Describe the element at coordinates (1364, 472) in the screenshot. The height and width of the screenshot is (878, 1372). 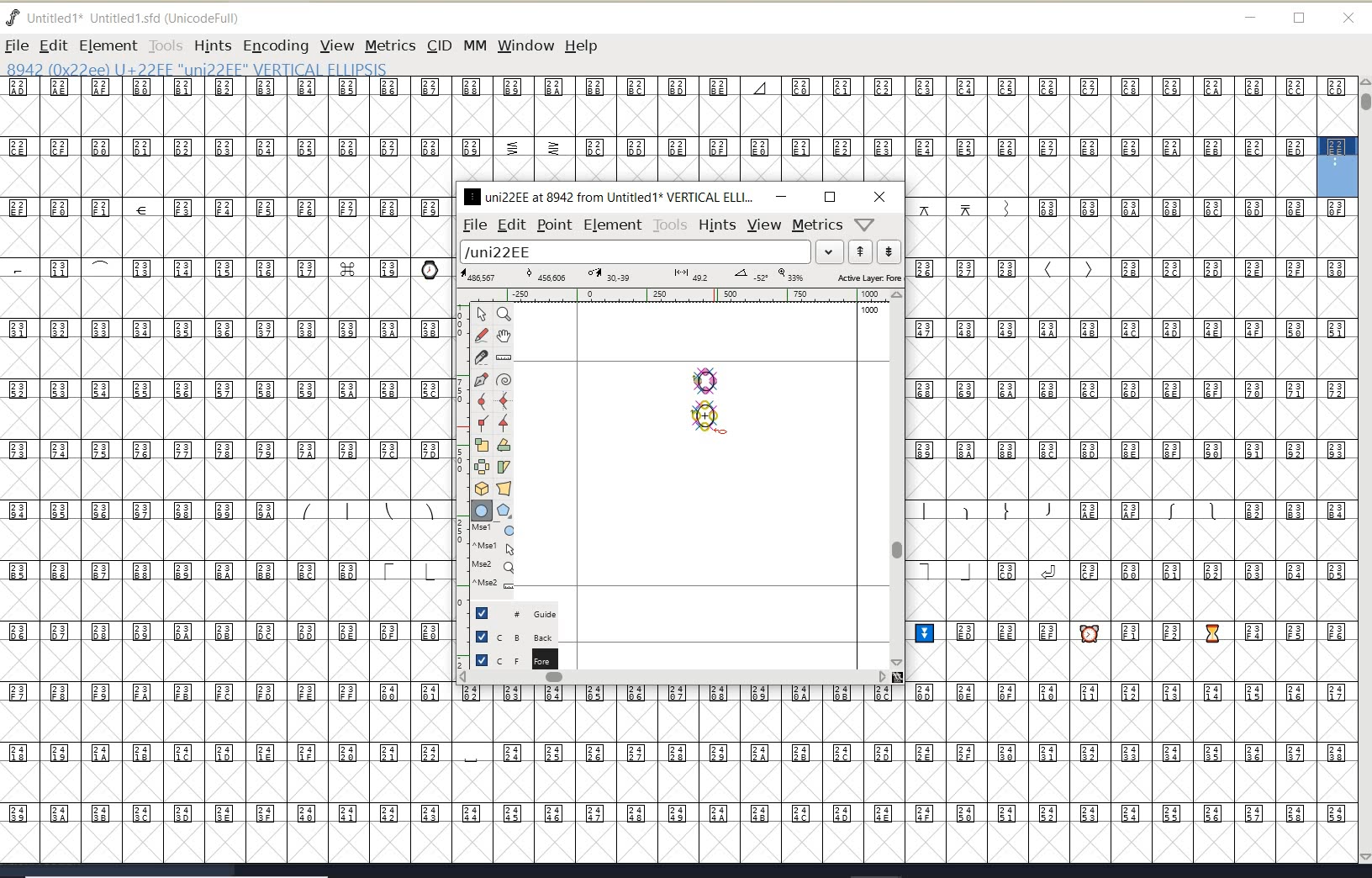
I see `SCROLLBAR` at that location.